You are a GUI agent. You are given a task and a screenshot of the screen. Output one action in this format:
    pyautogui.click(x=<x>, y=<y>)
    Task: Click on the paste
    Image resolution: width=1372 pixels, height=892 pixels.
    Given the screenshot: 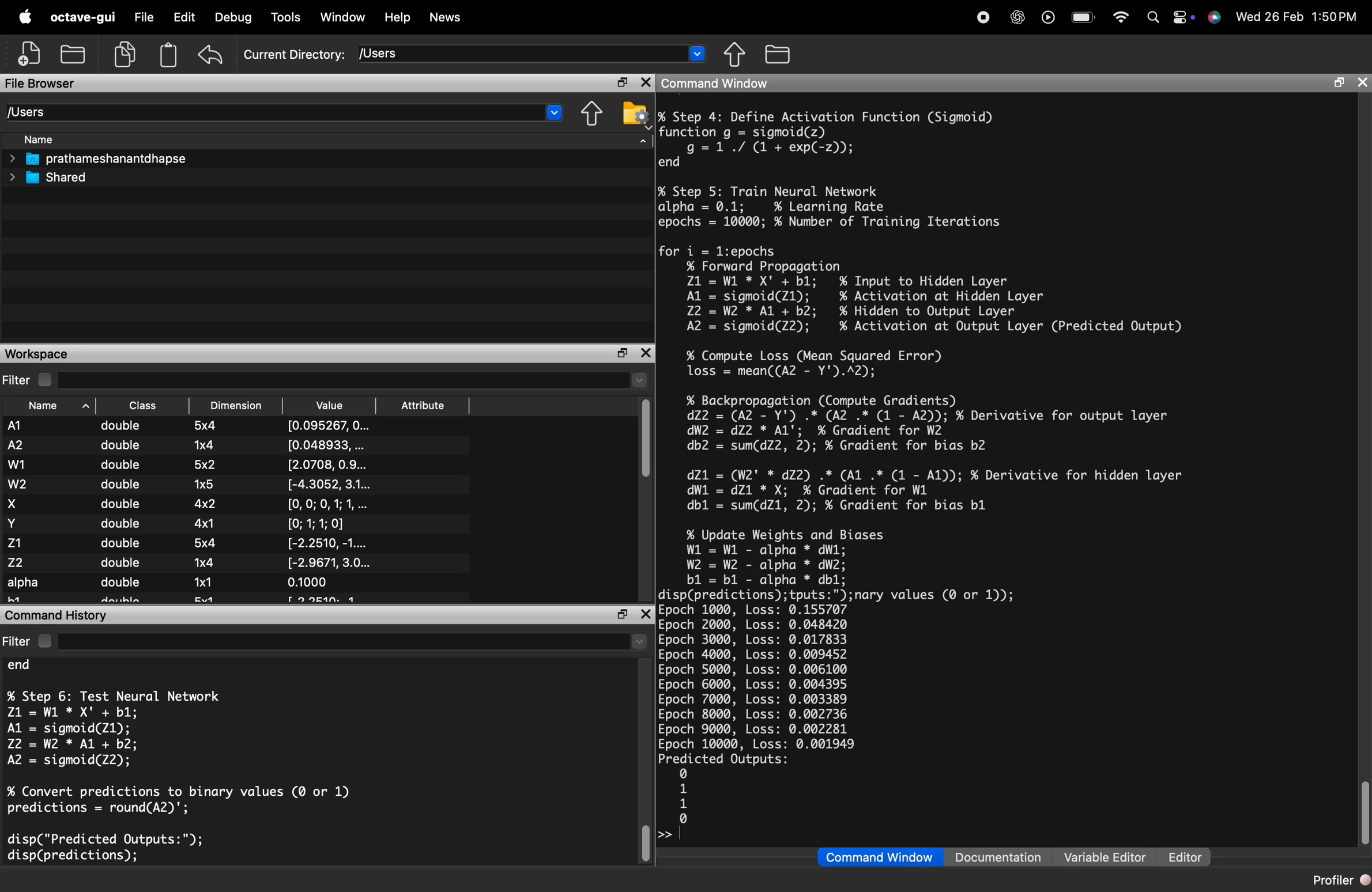 What is the action you would take?
    pyautogui.click(x=168, y=55)
    